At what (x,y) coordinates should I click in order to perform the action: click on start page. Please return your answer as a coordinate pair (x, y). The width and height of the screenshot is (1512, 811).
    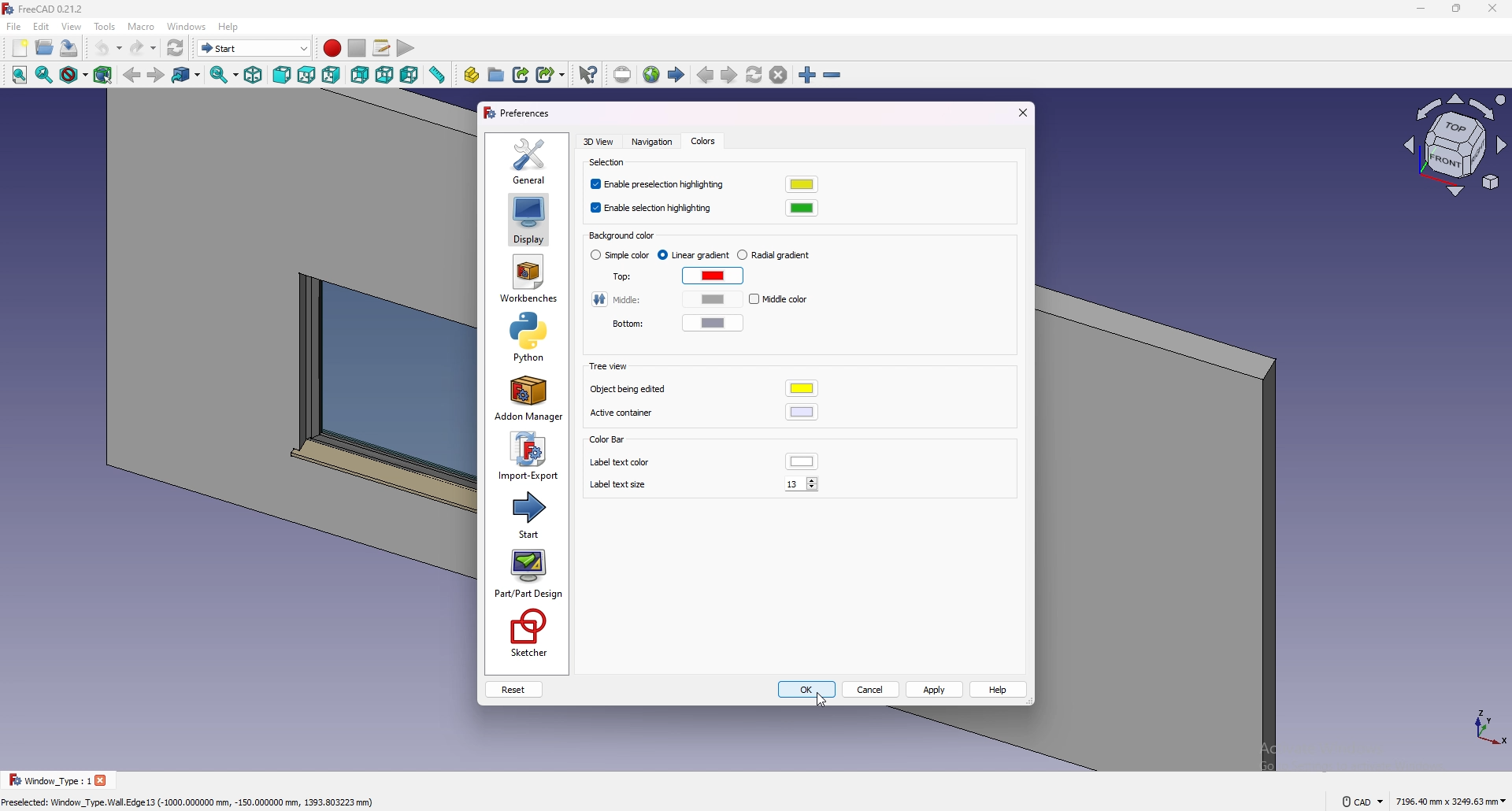
    Looking at the image, I should click on (677, 75).